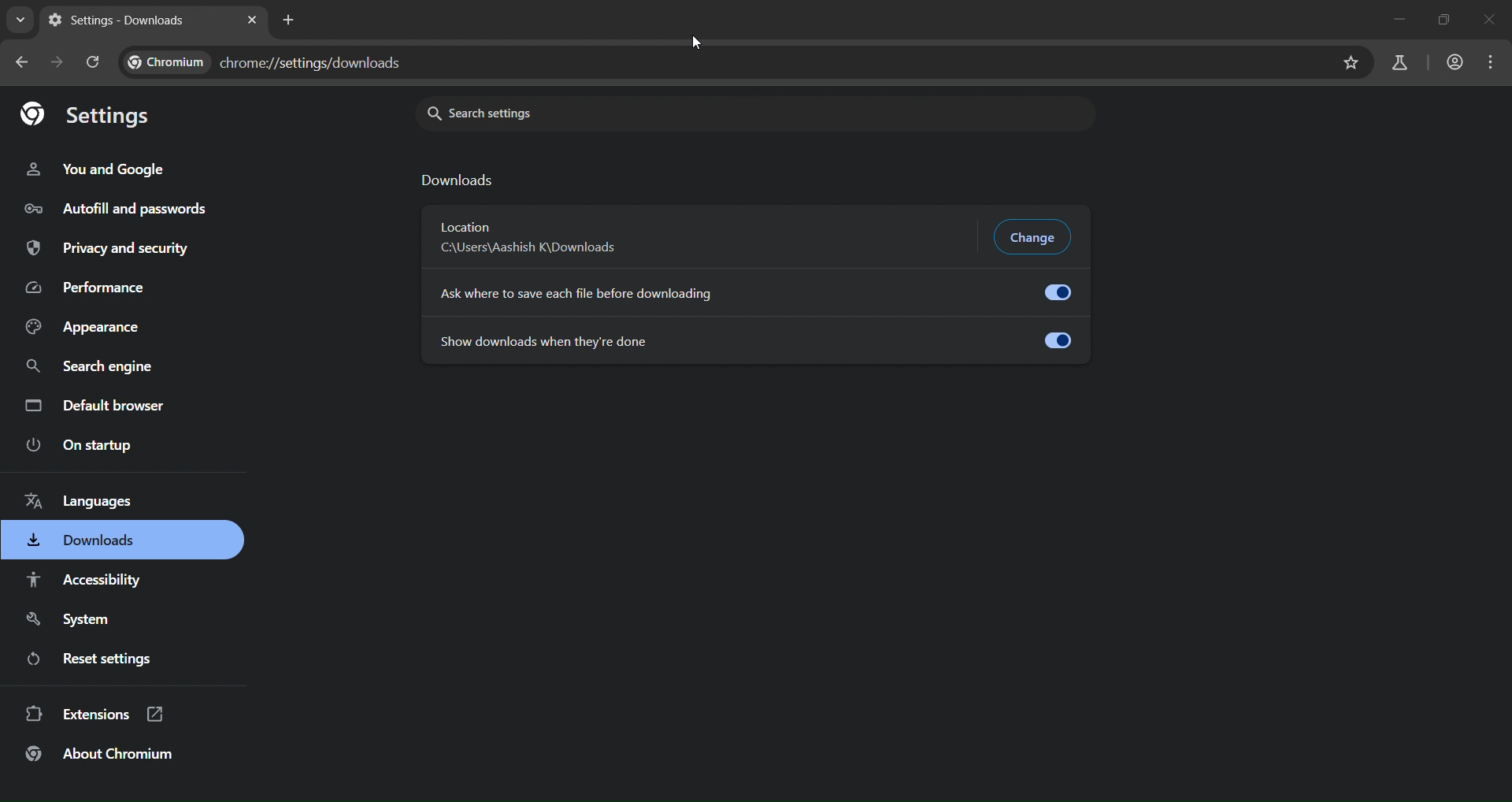 The width and height of the screenshot is (1512, 802). I want to click on language, so click(94, 503).